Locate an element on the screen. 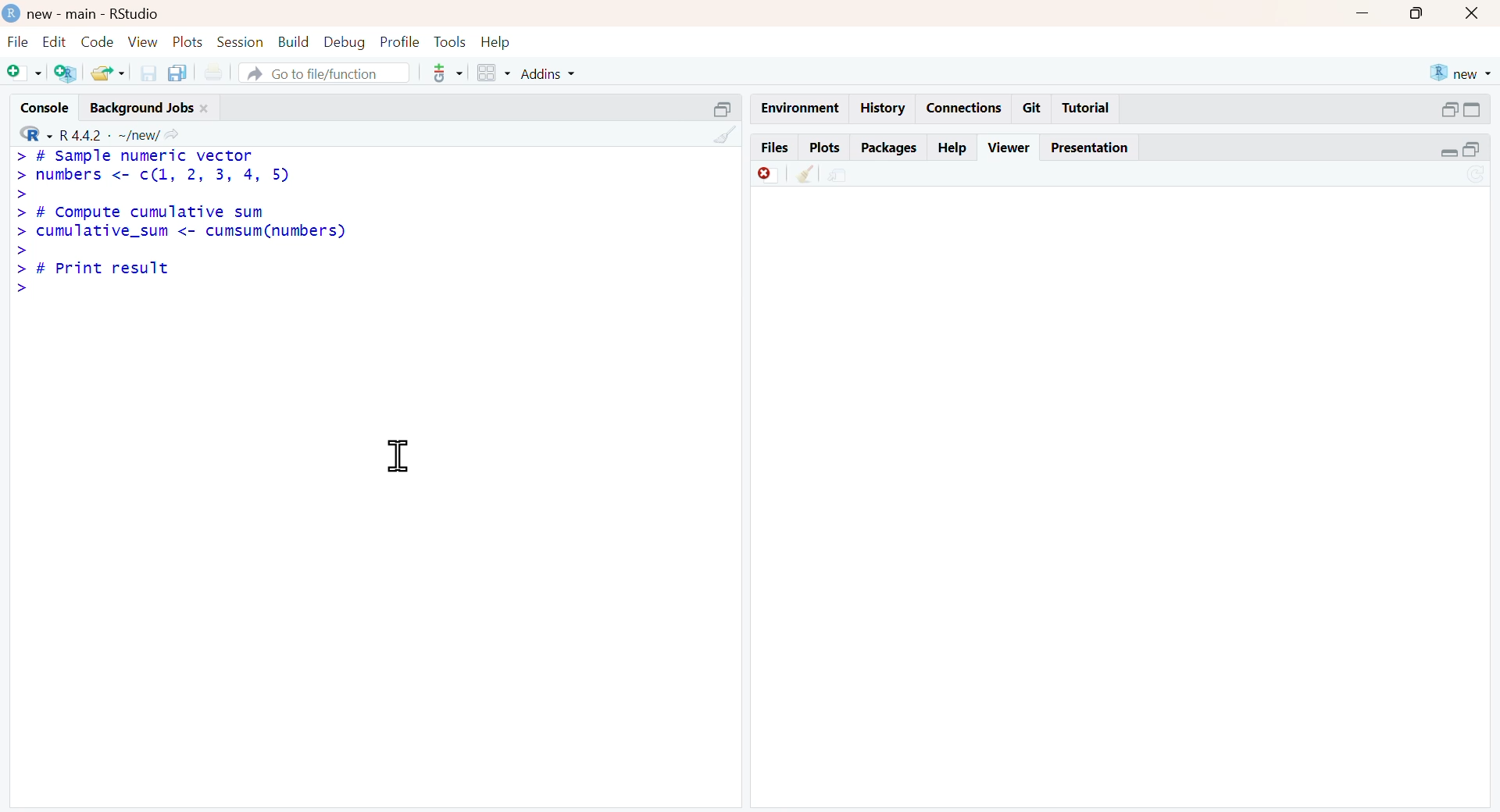 The image size is (1500, 812). Viewer is located at coordinates (1011, 146).